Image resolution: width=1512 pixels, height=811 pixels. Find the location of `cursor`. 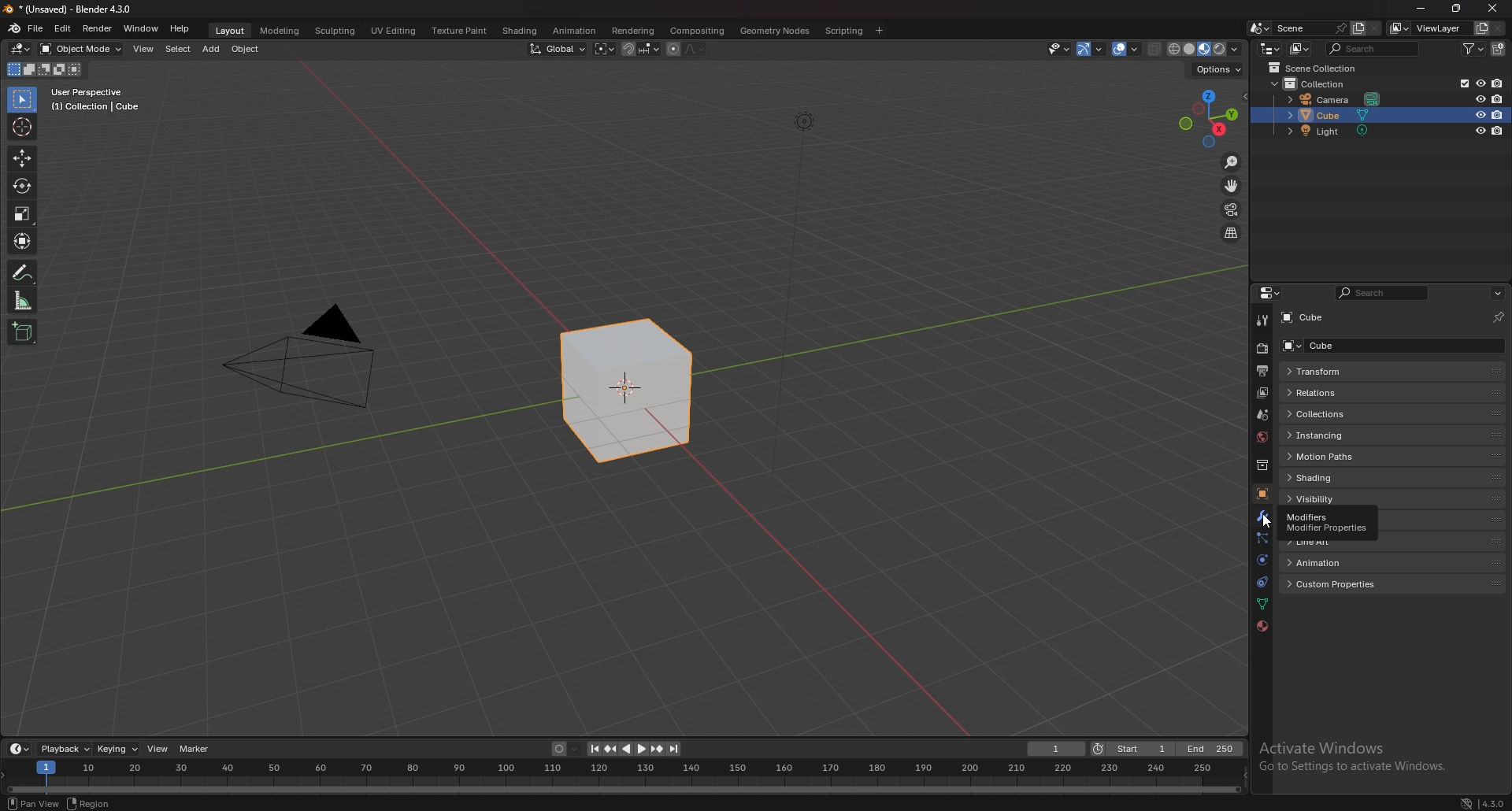

cursor is located at coordinates (22, 126).